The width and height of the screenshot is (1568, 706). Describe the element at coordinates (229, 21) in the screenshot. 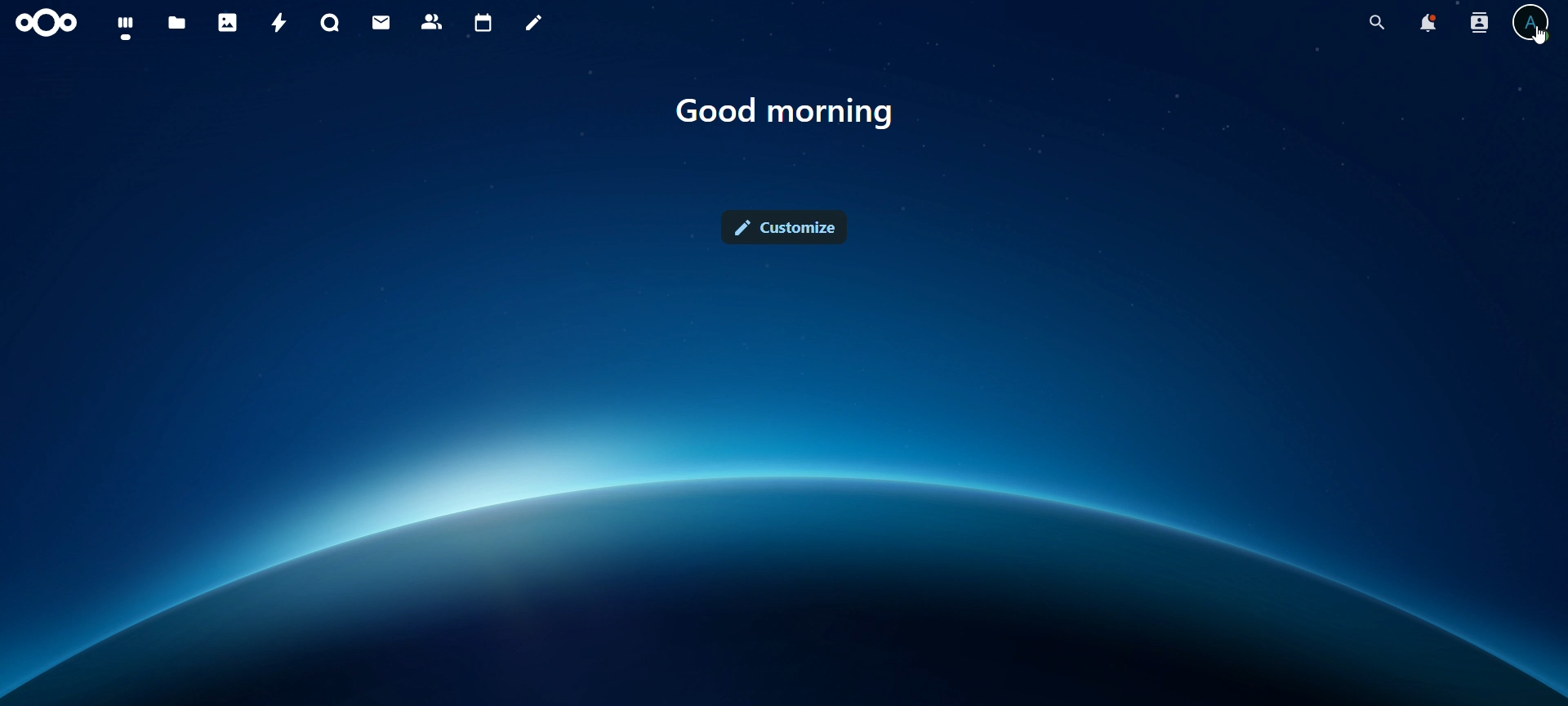

I see `photos` at that location.